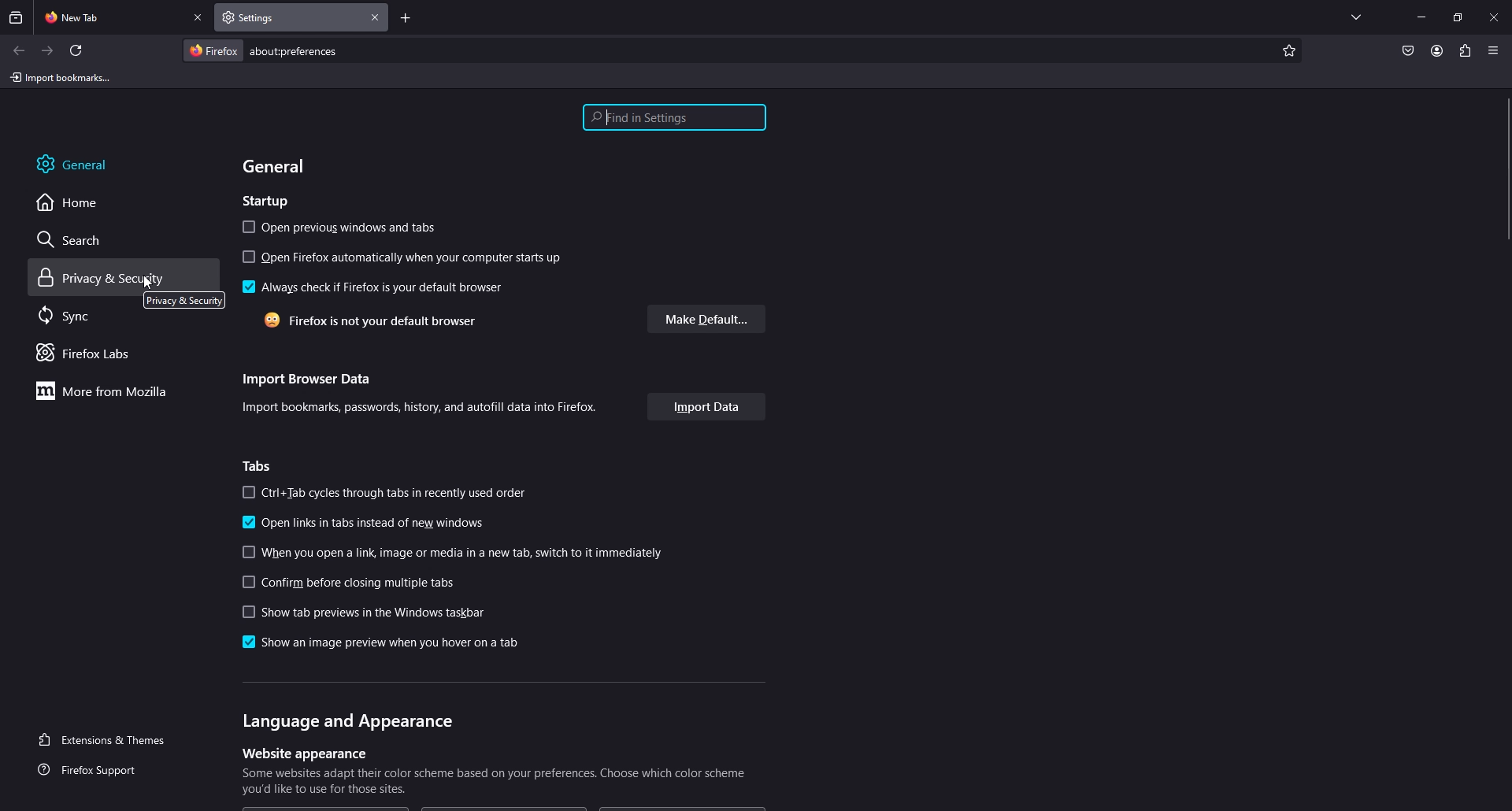 The width and height of the screenshot is (1512, 811). What do you see at coordinates (48, 51) in the screenshot?
I see `forward` at bounding box center [48, 51].